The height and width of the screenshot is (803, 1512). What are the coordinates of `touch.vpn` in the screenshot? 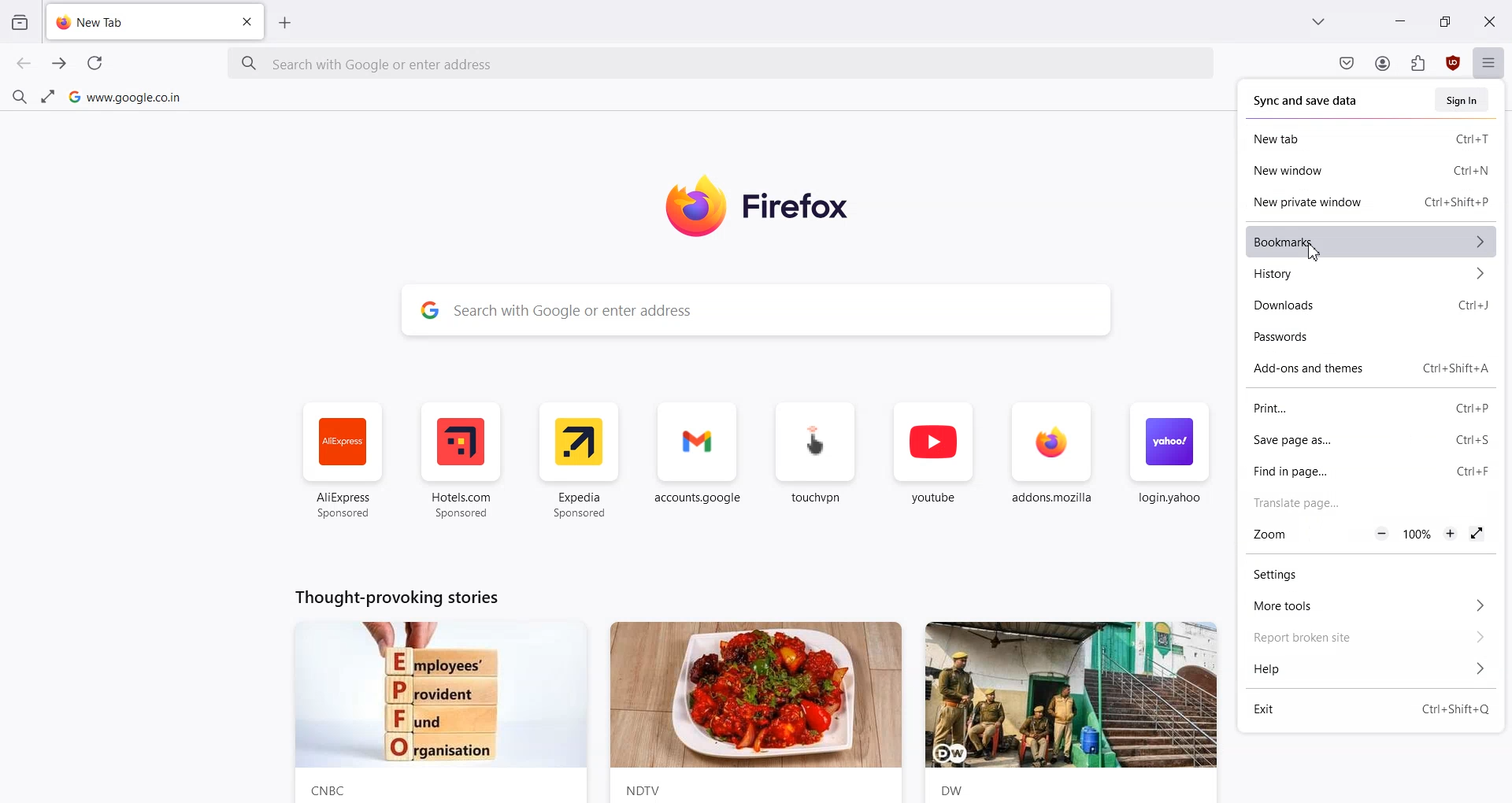 It's located at (816, 461).